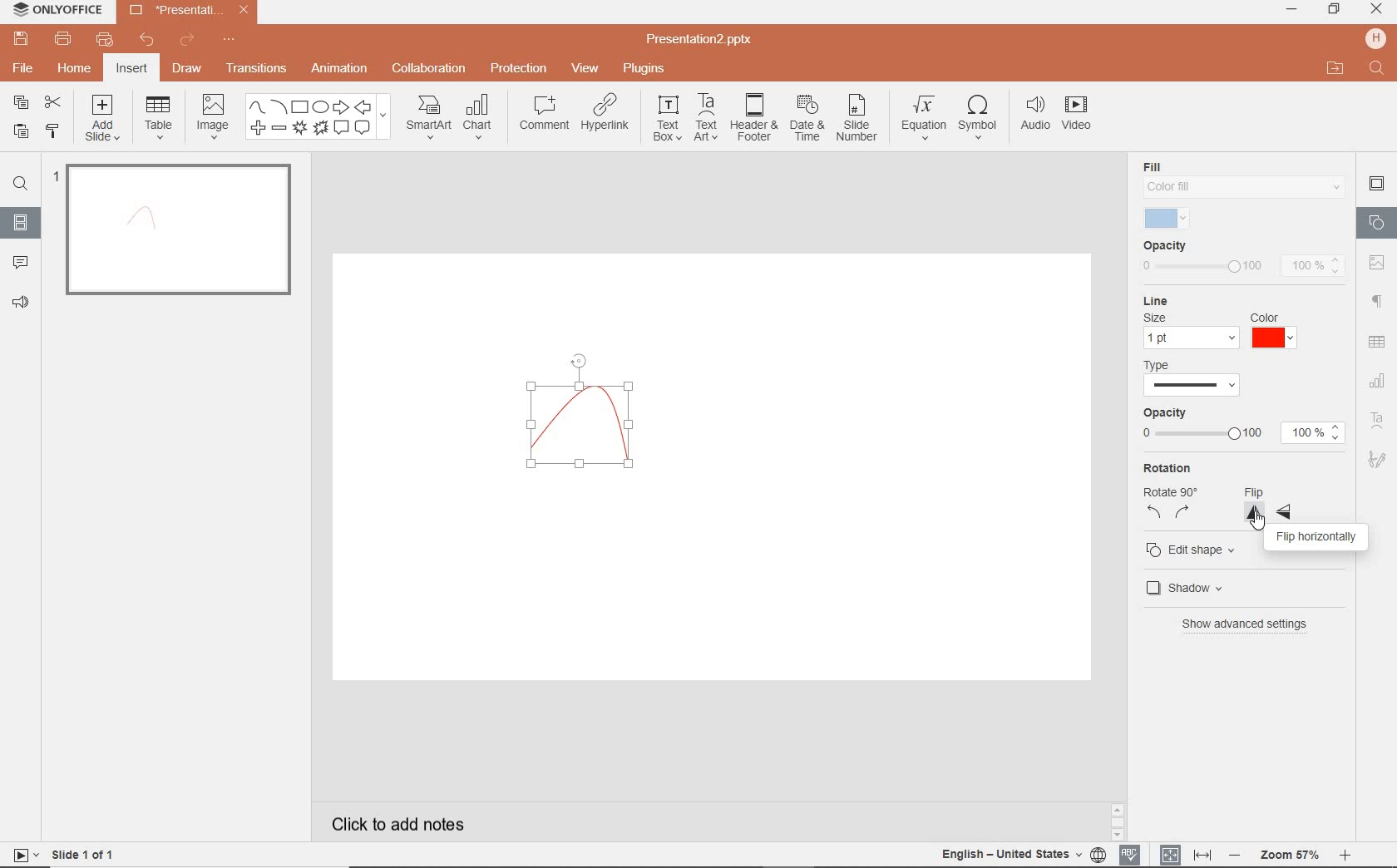 The height and width of the screenshot is (868, 1397). Describe the element at coordinates (24, 40) in the screenshot. I see `SAVE` at that location.